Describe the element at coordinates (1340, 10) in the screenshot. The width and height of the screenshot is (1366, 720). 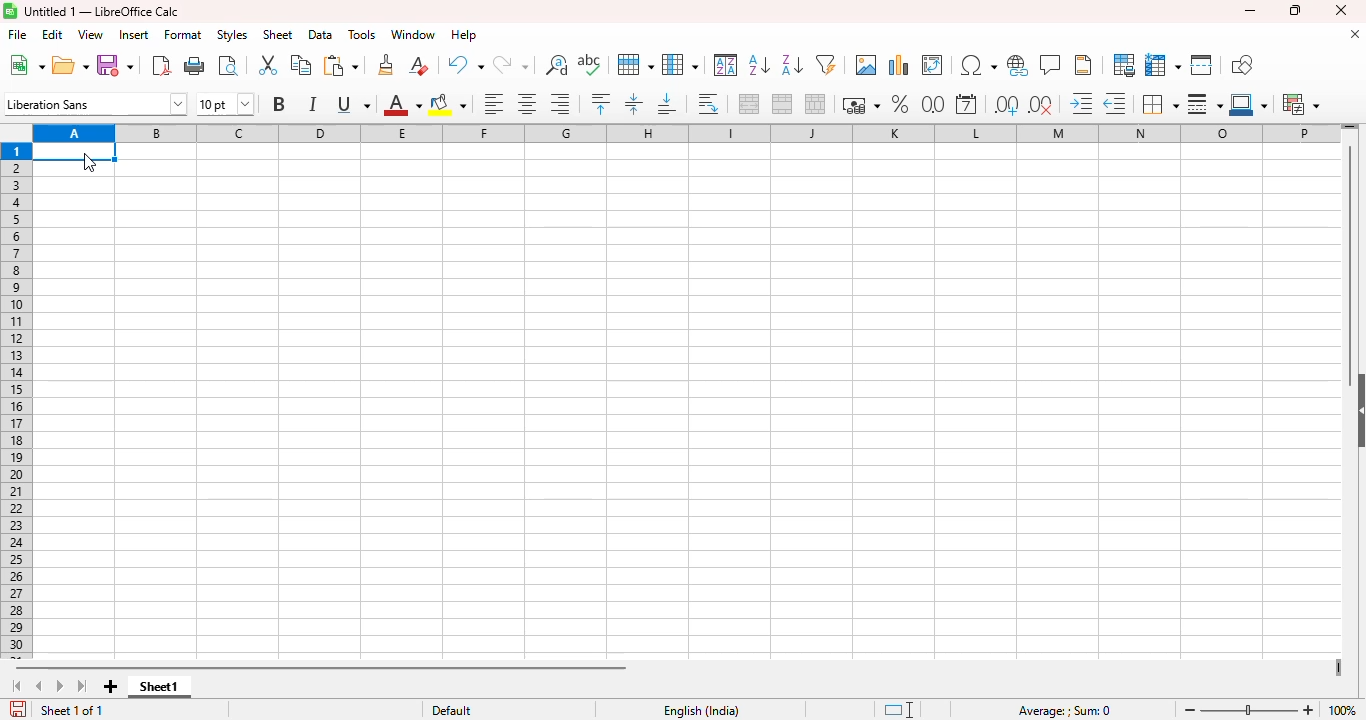
I see `close` at that location.